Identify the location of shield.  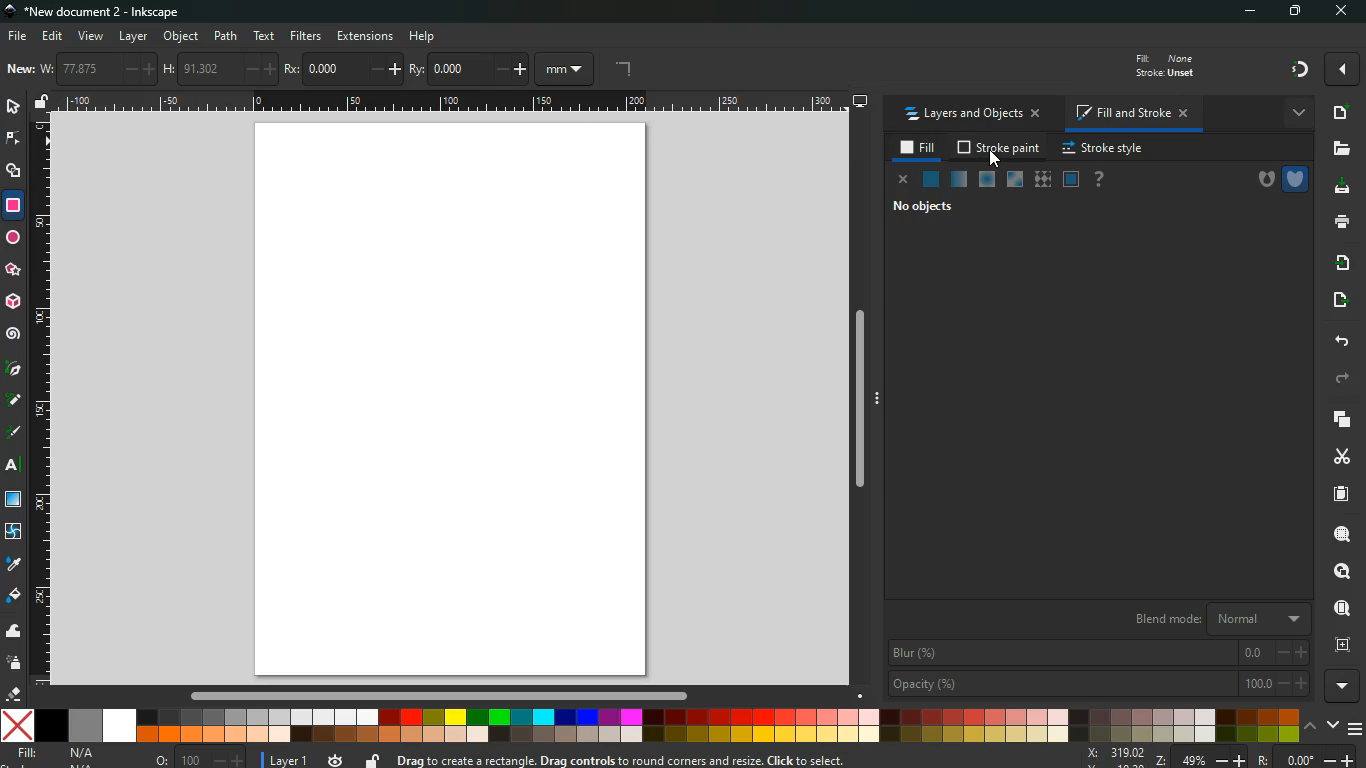
(1296, 179).